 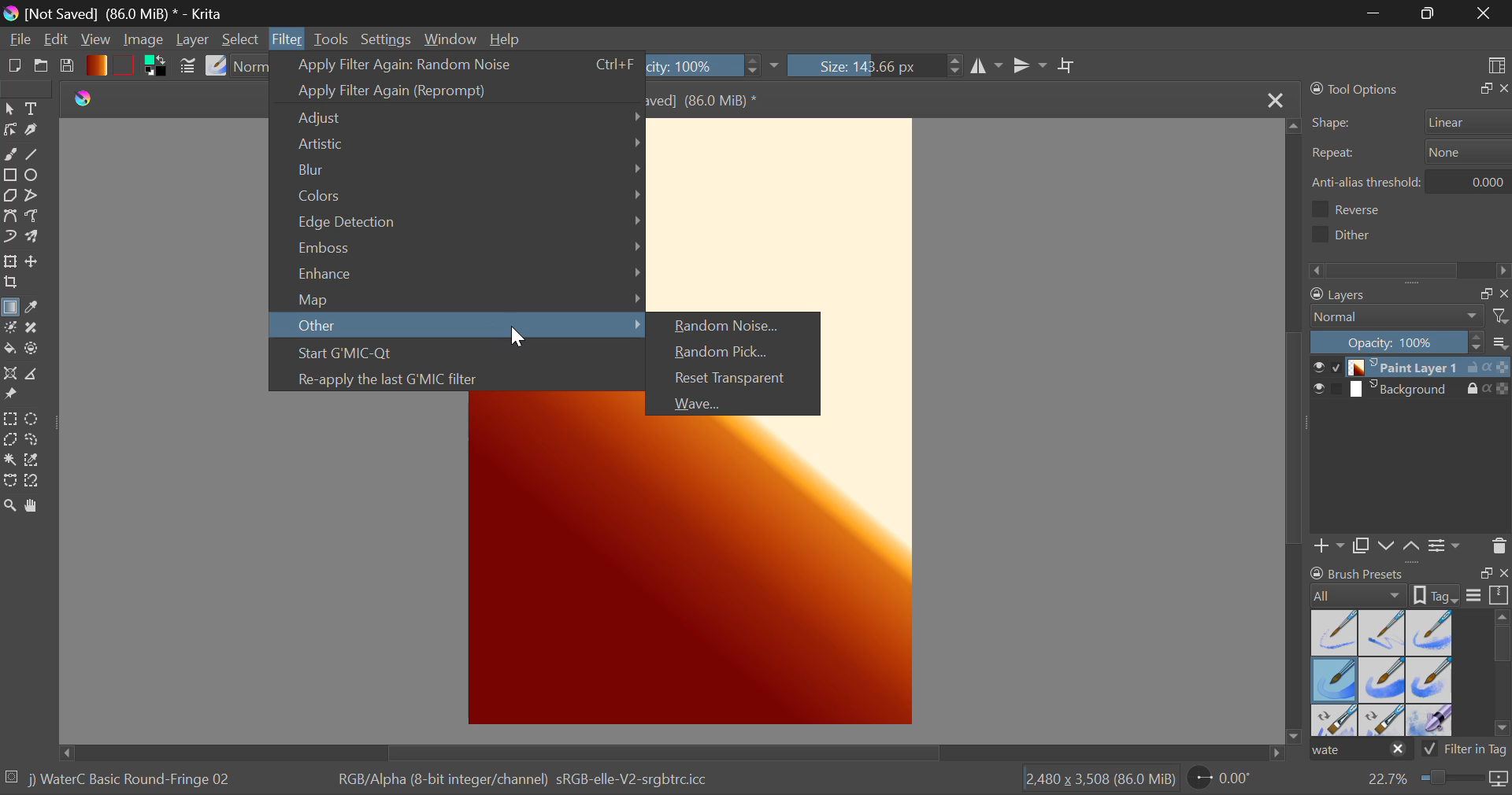 I want to click on Map, so click(x=455, y=298).